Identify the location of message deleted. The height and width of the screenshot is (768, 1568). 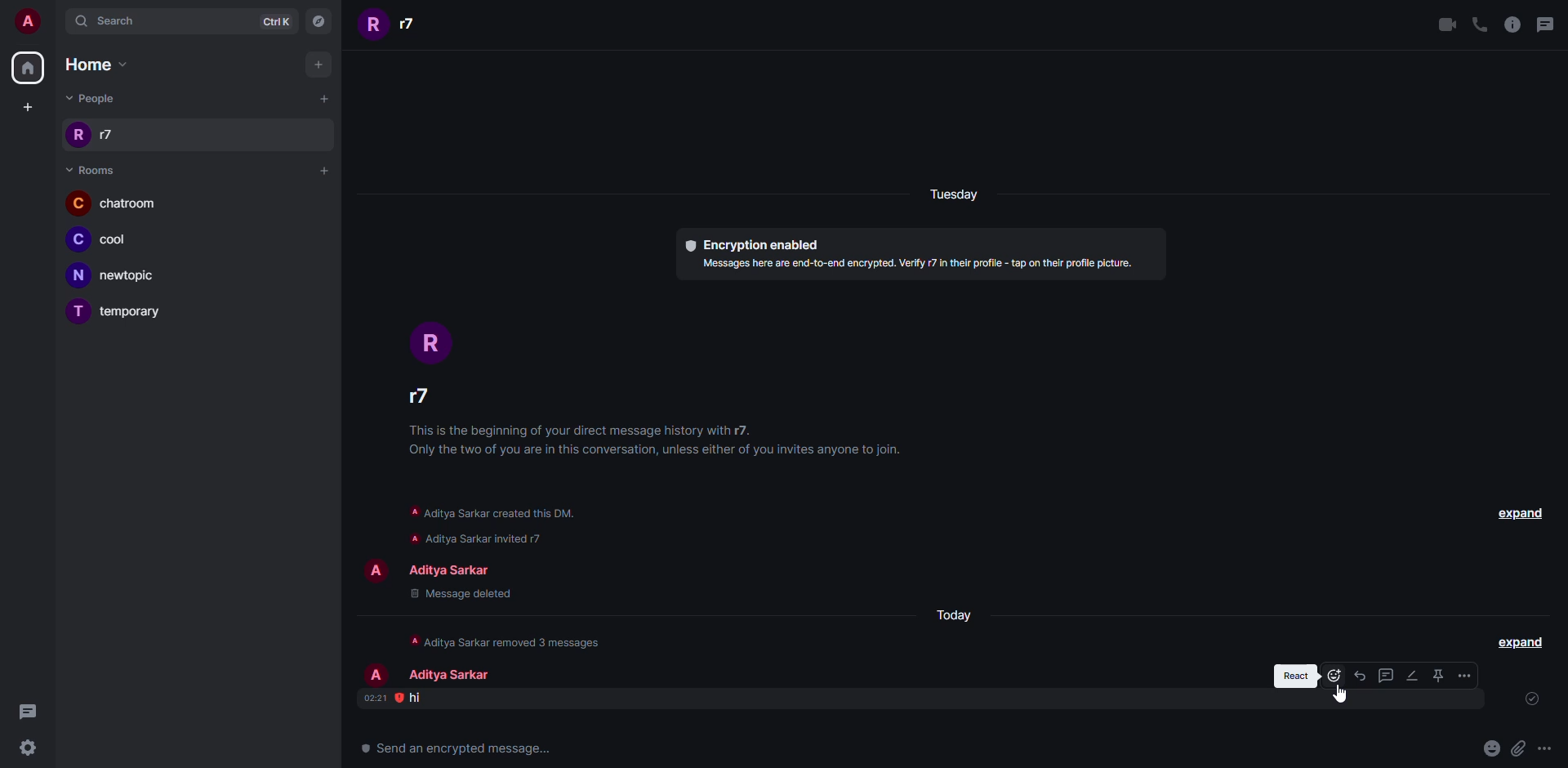
(458, 595).